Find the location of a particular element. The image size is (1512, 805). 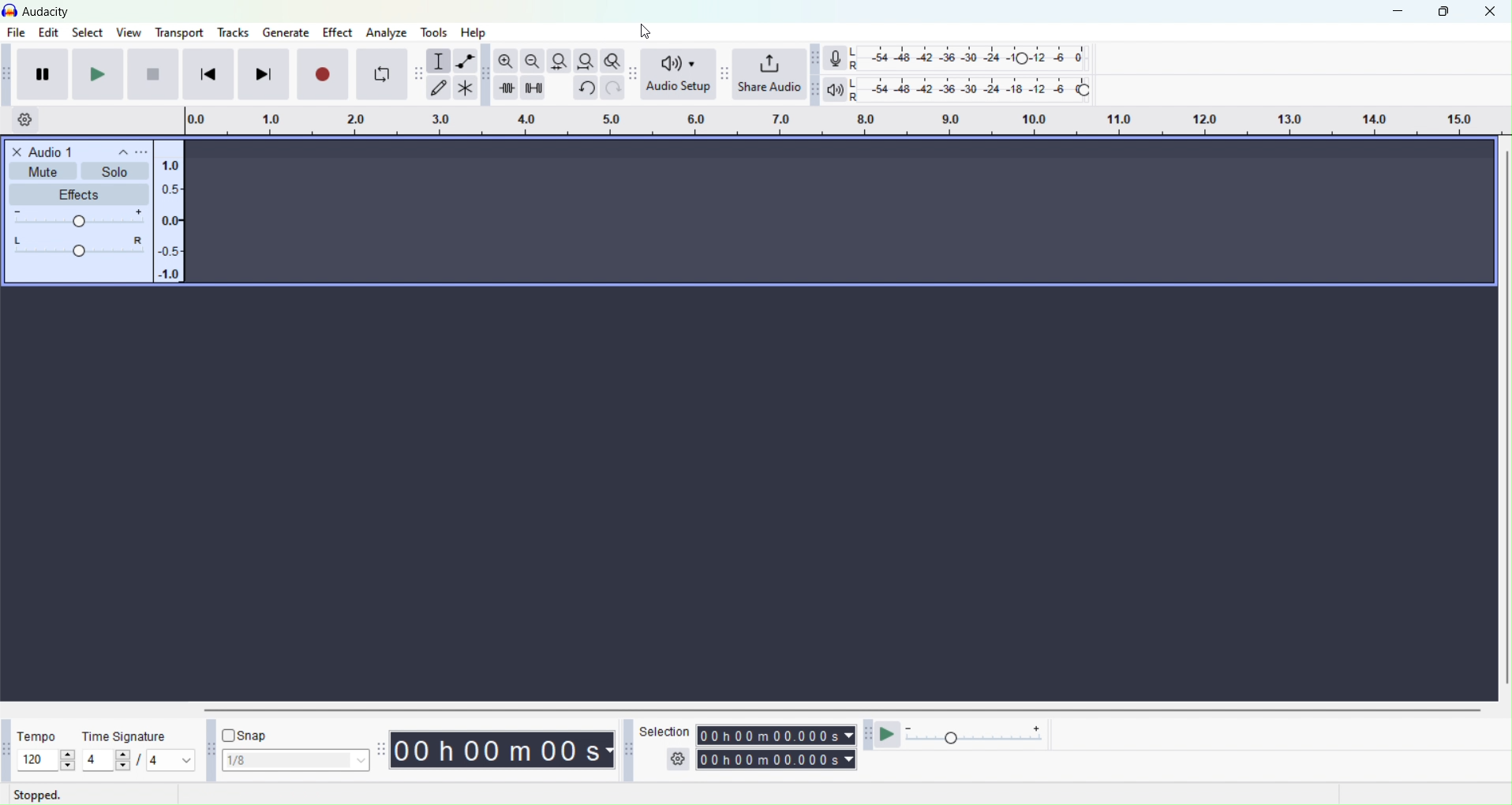

Share audio is located at coordinates (771, 75).